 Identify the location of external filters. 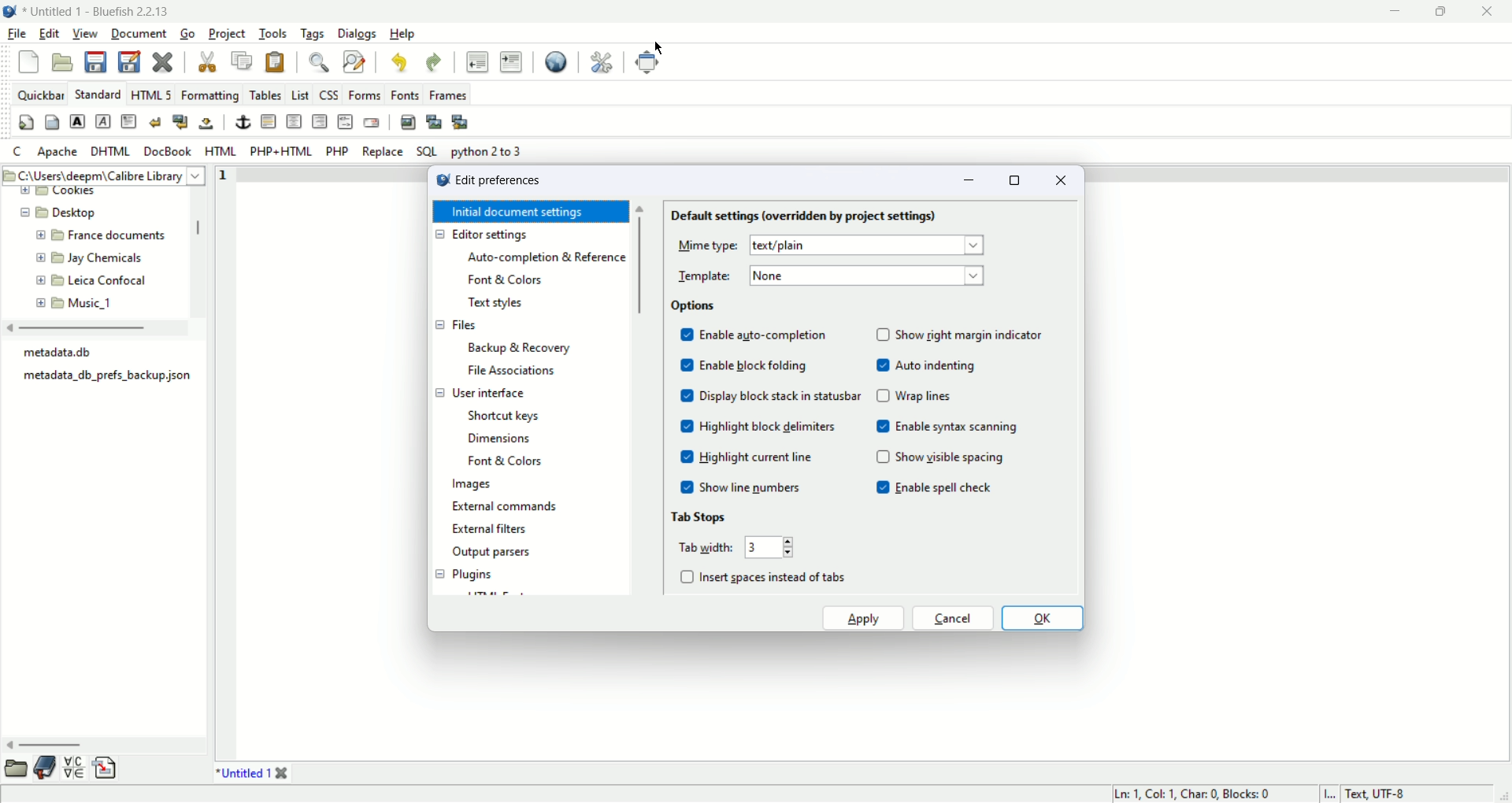
(502, 530).